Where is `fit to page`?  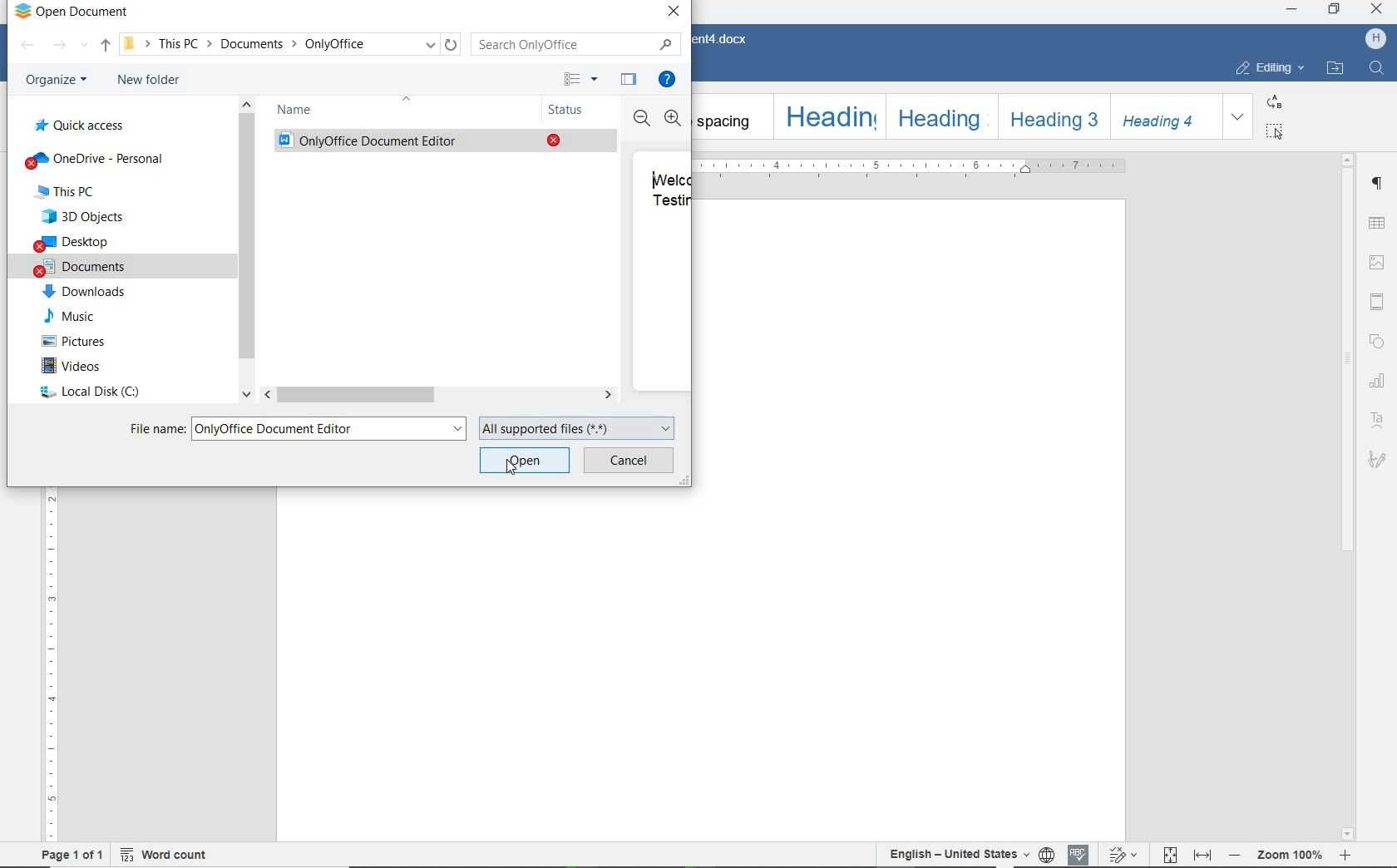
fit to page is located at coordinates (1169, 856).